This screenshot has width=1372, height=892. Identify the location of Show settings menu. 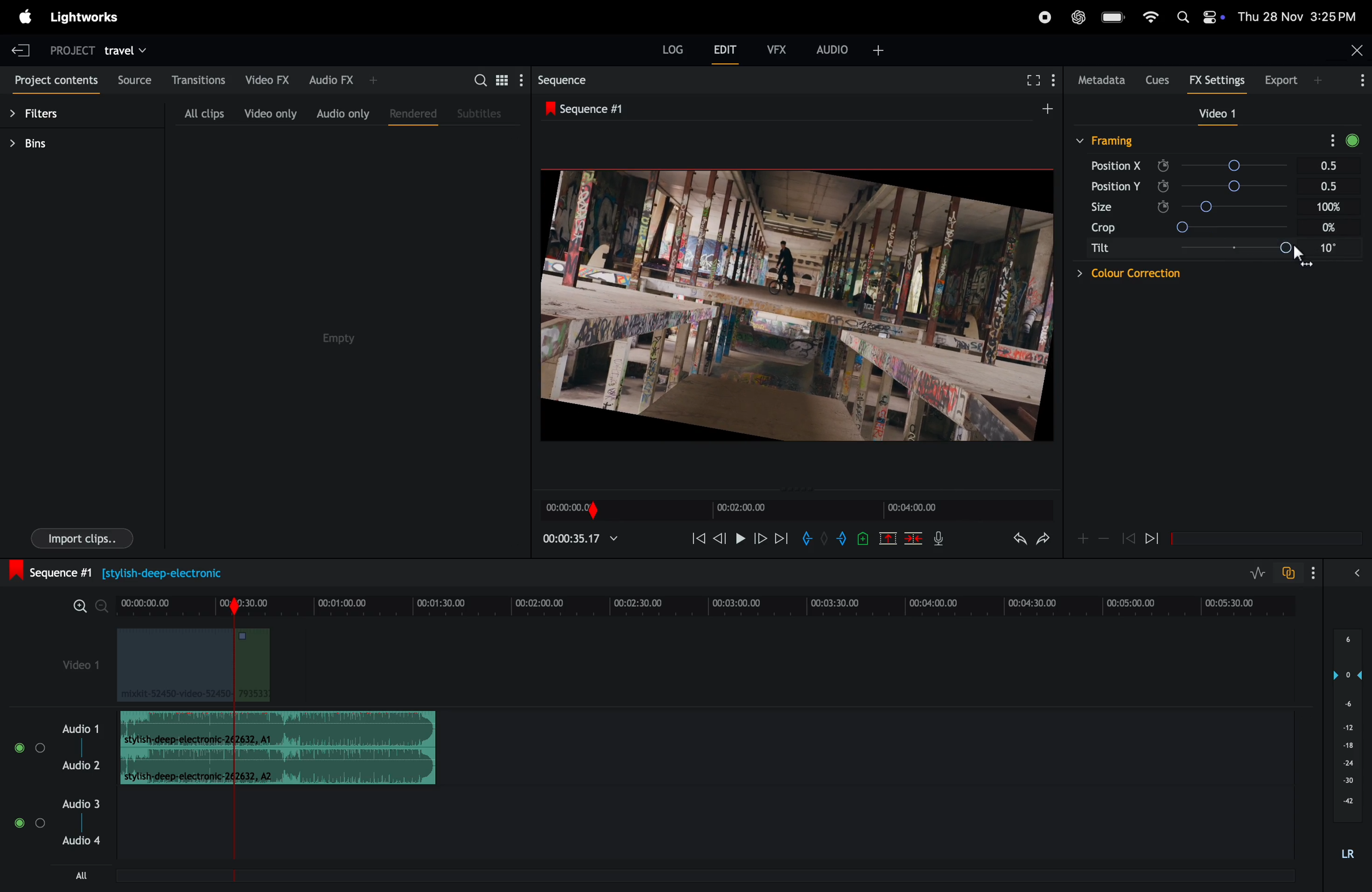
(1360, 82).